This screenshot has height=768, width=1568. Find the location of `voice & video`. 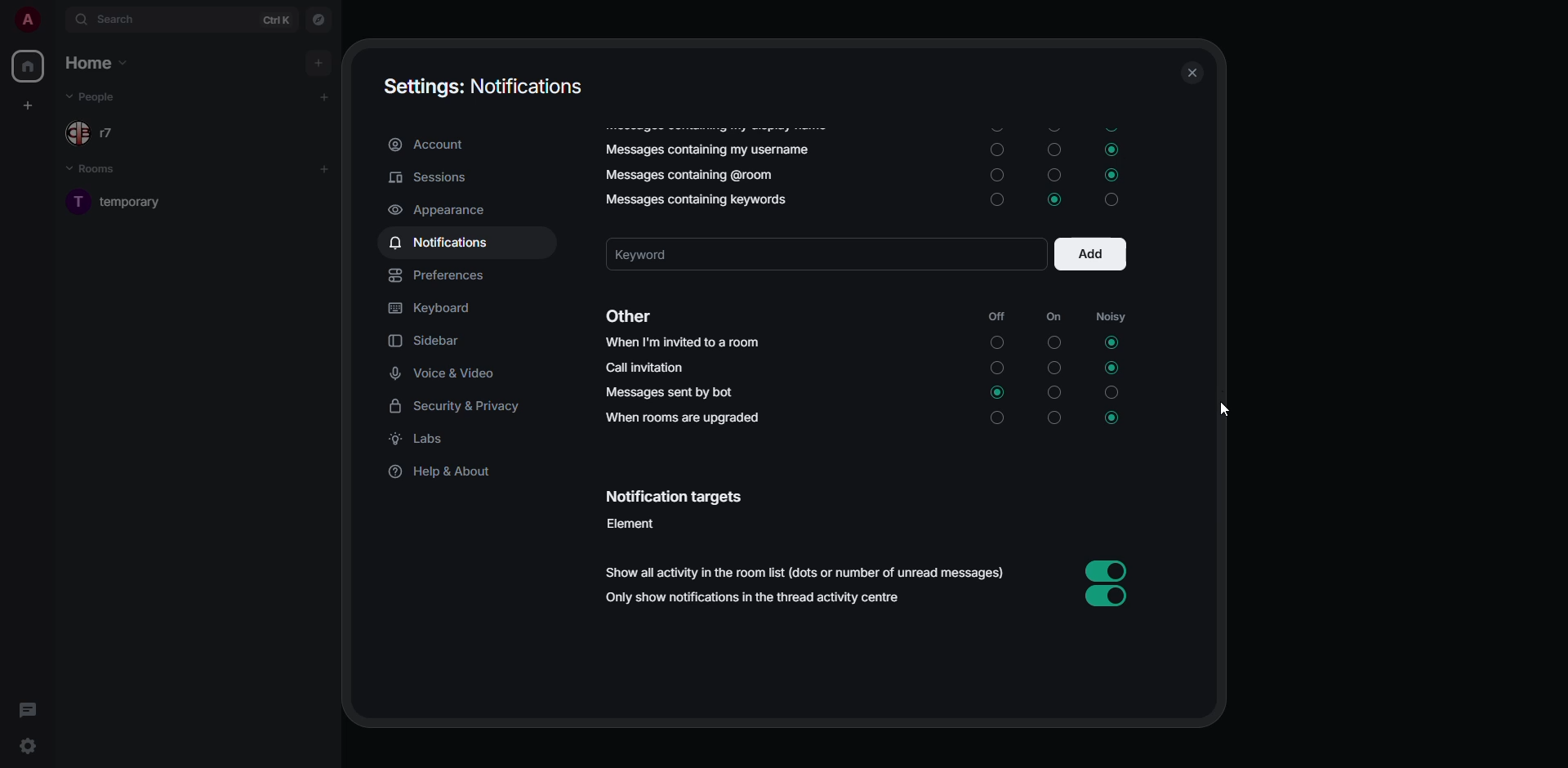

voice & video is located at coordinates (446, 373).